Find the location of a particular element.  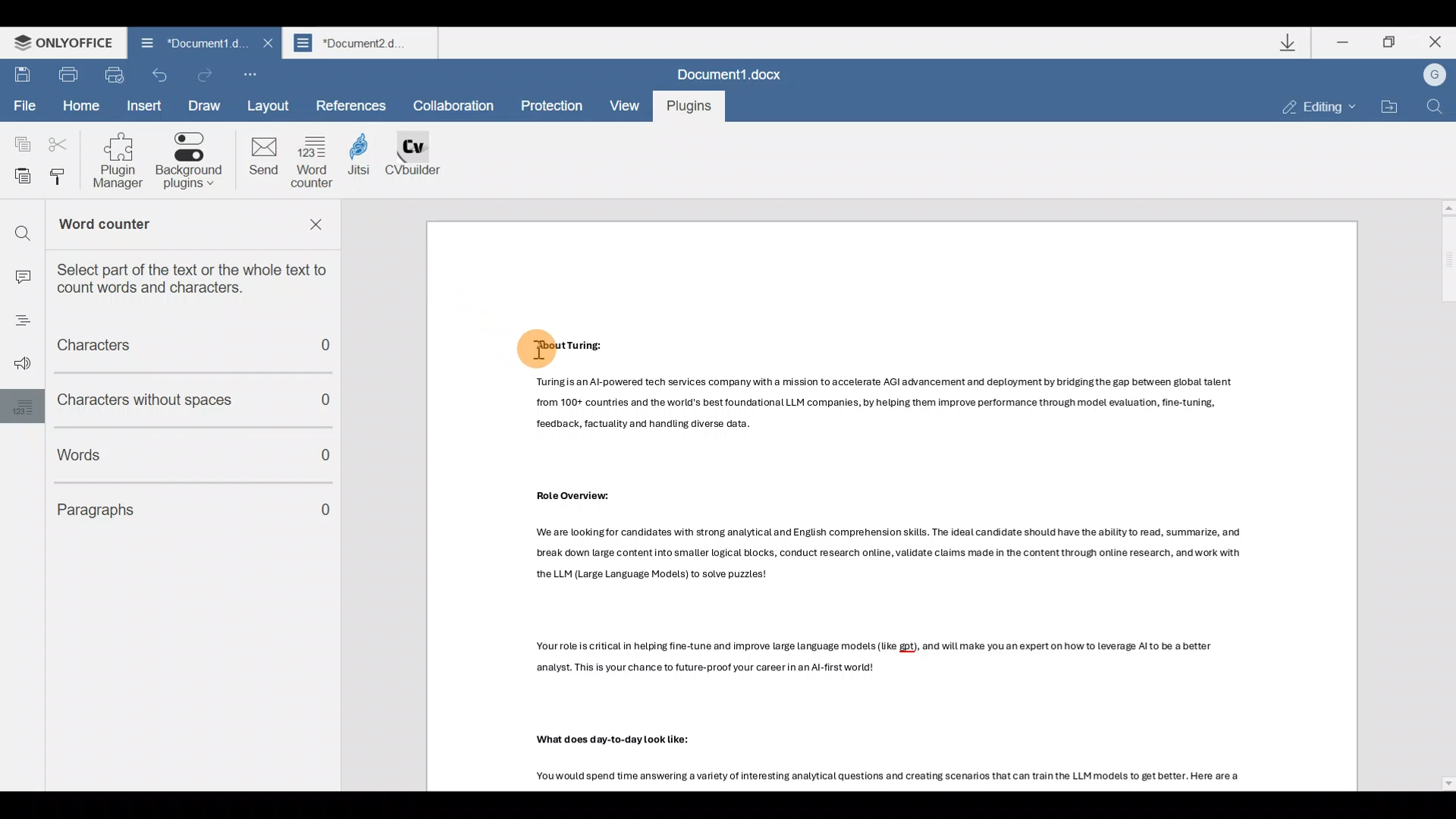

ONLYOFFICE is located at coordinates (58, 42).